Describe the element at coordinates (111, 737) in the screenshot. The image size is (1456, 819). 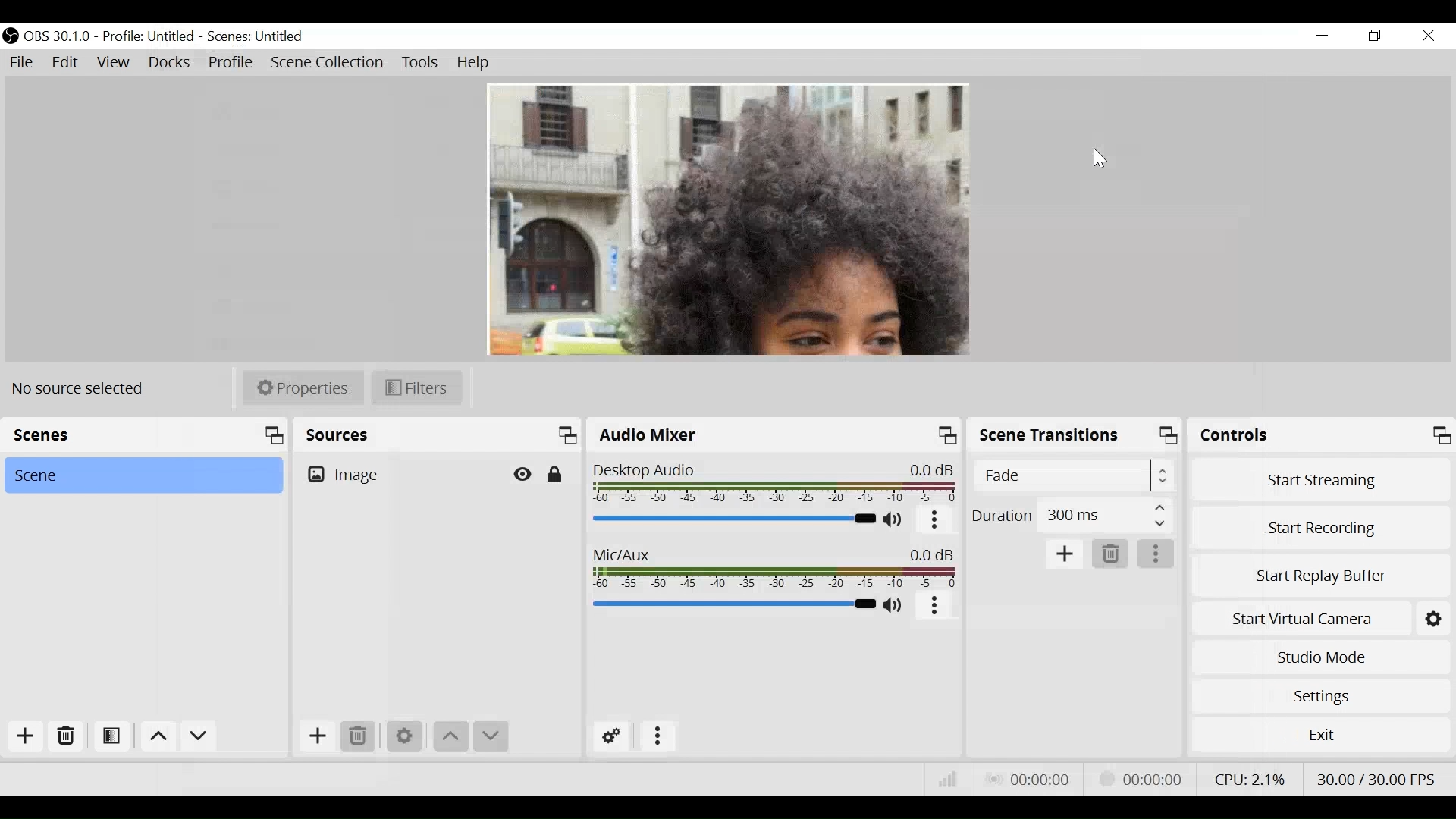
I see `Open Scene Filter` at that location.